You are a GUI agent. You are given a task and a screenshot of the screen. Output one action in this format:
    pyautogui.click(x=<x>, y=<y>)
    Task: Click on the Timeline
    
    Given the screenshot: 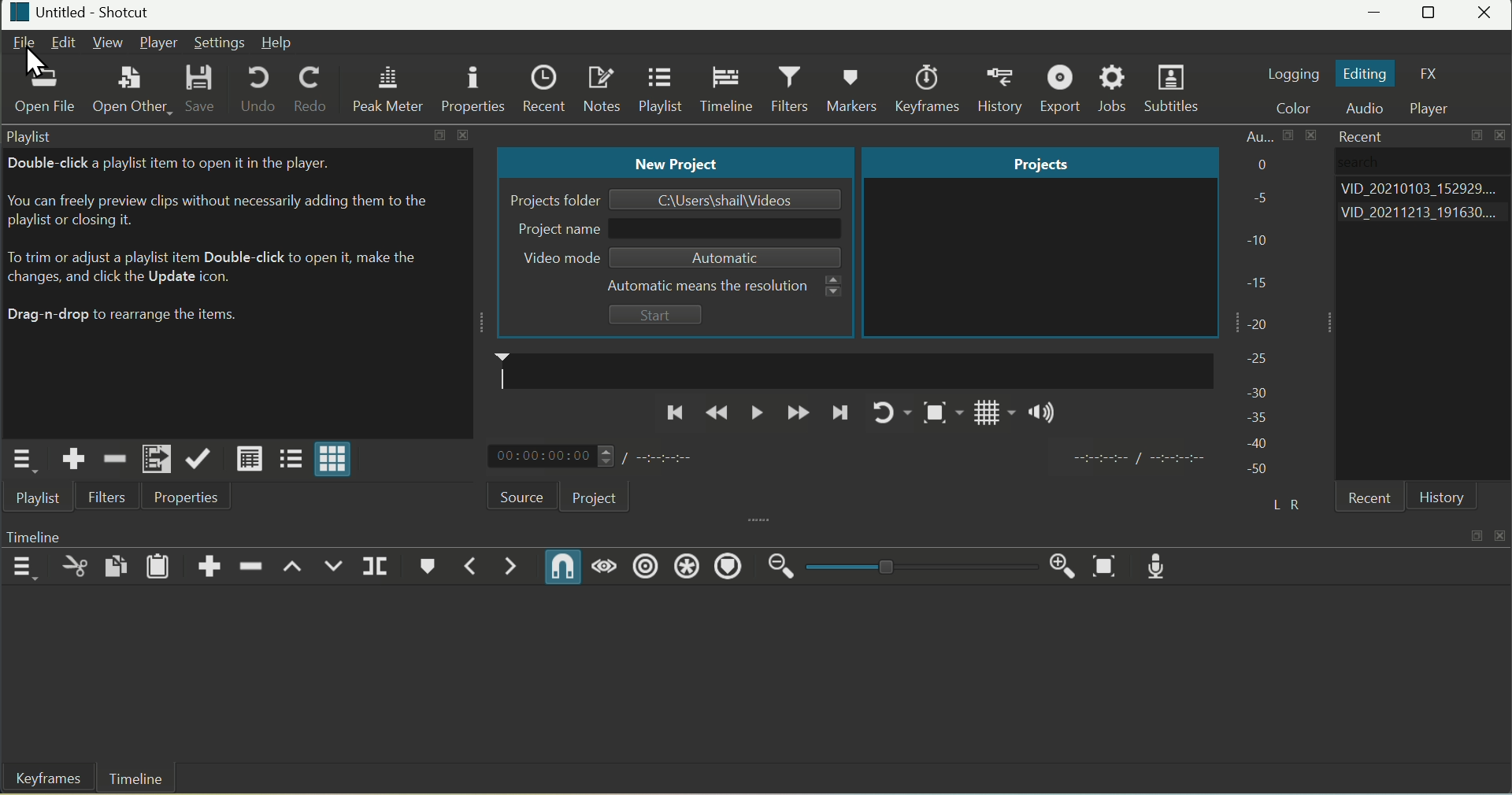 What is the action you would take?
    pyautogui.click(x=725, y=90)
    